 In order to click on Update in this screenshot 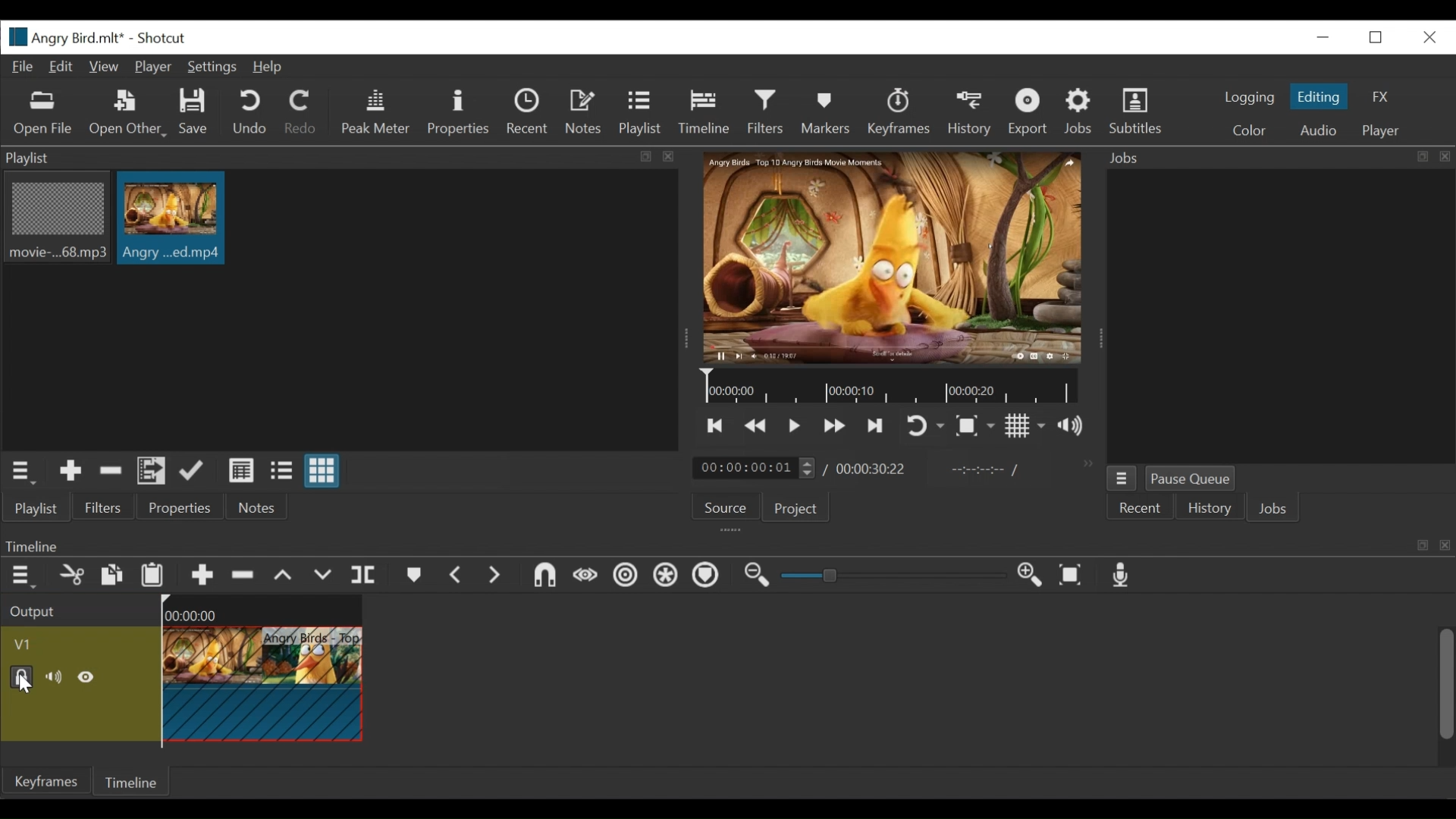, I will do `click(195, 472)`.